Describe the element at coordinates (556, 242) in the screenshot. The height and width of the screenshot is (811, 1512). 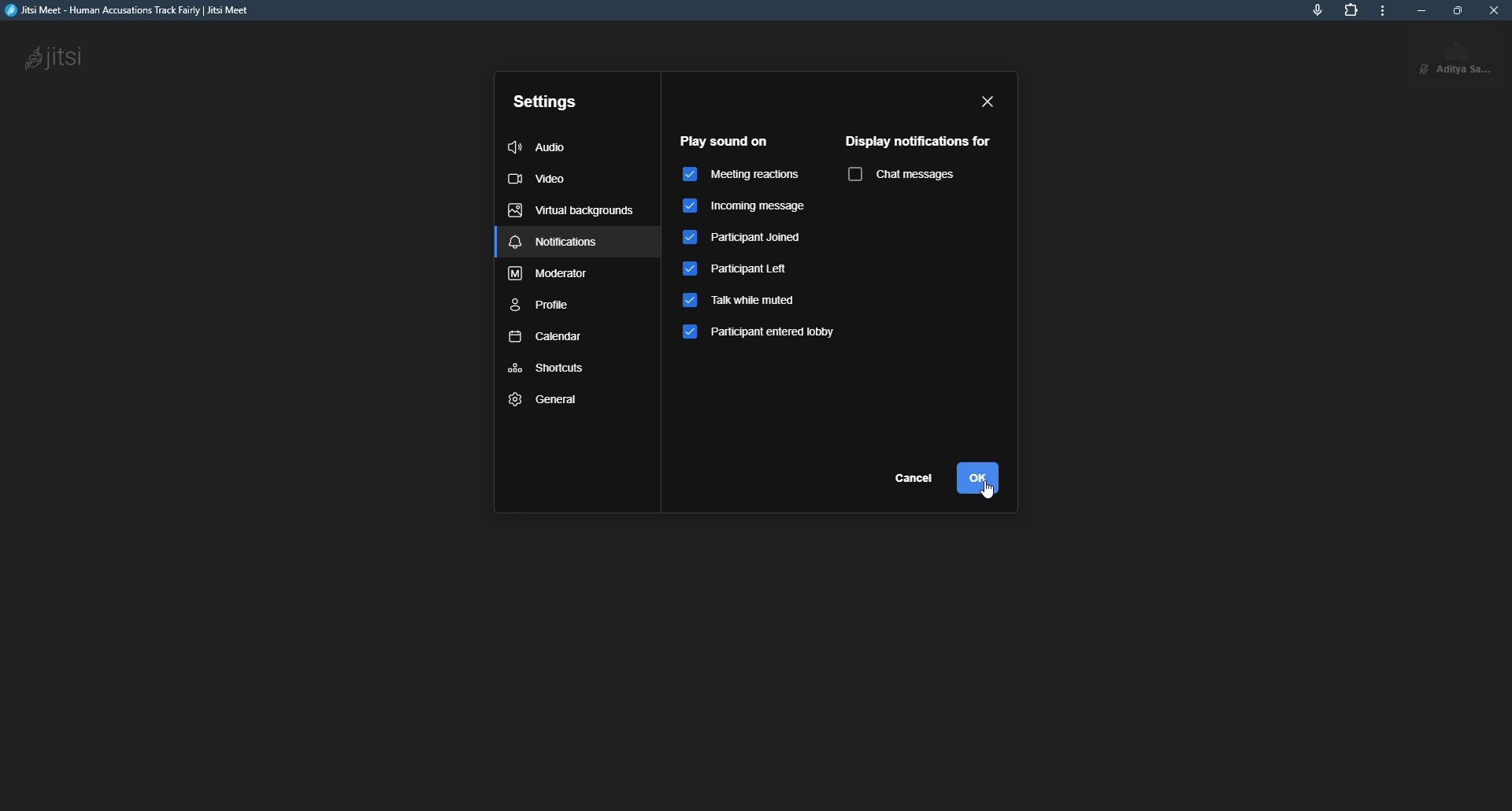
I see `notifications` at that location.